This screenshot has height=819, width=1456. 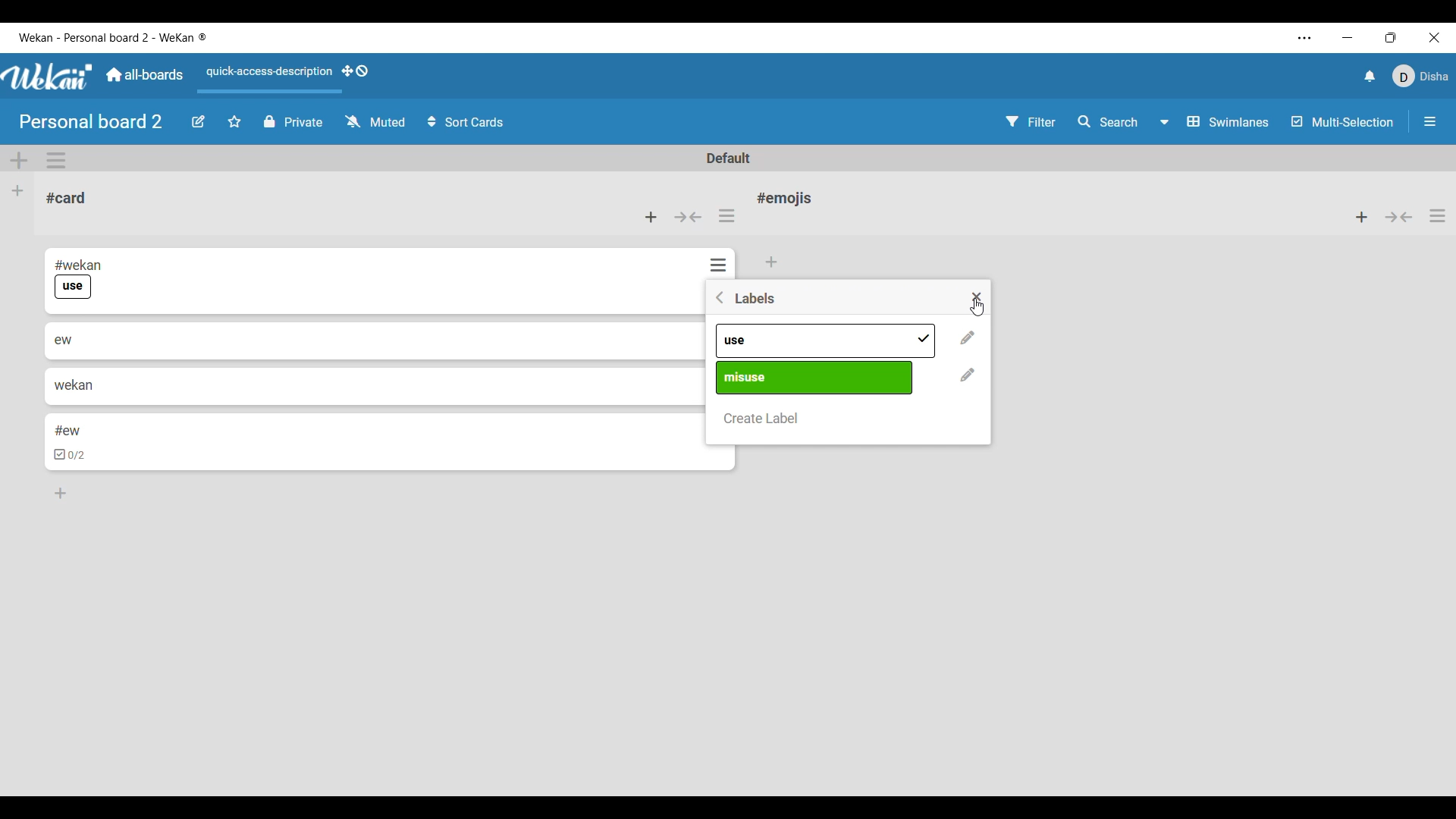 What do you see at coordinates (375, 121) in the screenshot?
I see `Watch options` at bounding box center [375, 121].